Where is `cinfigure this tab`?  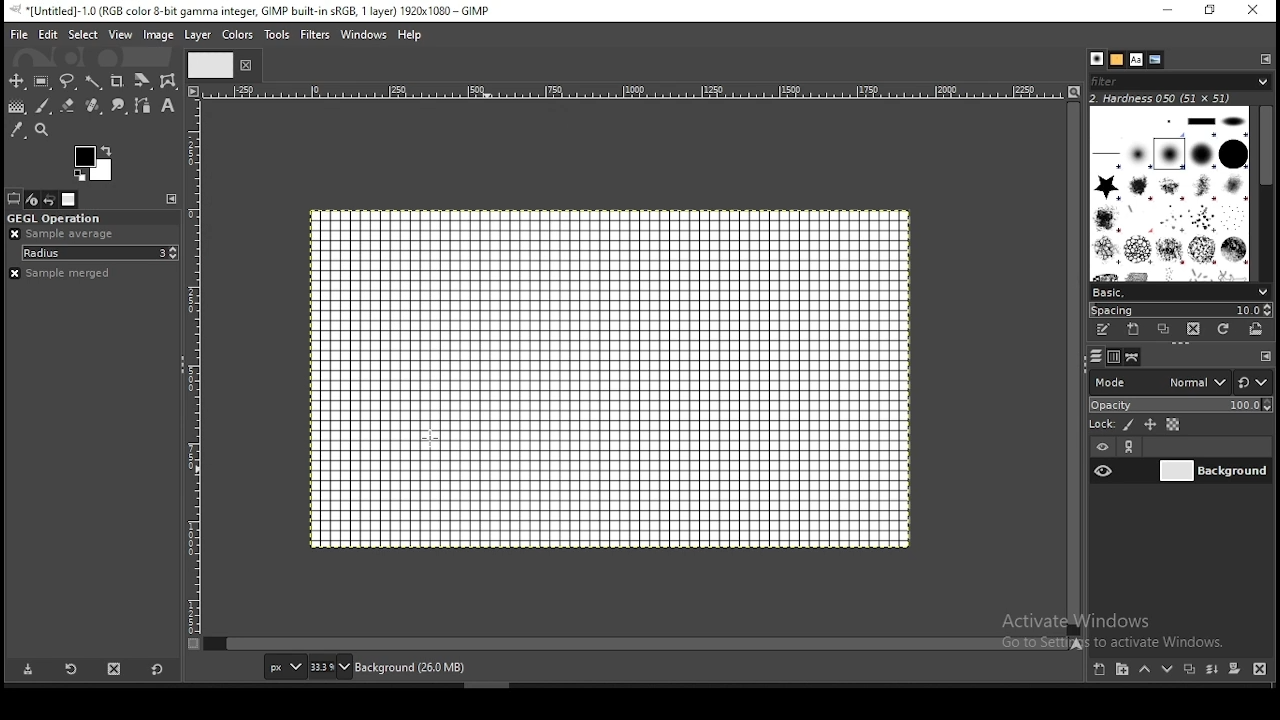 cinfigure this tab is located at coordinates (1267, 356).